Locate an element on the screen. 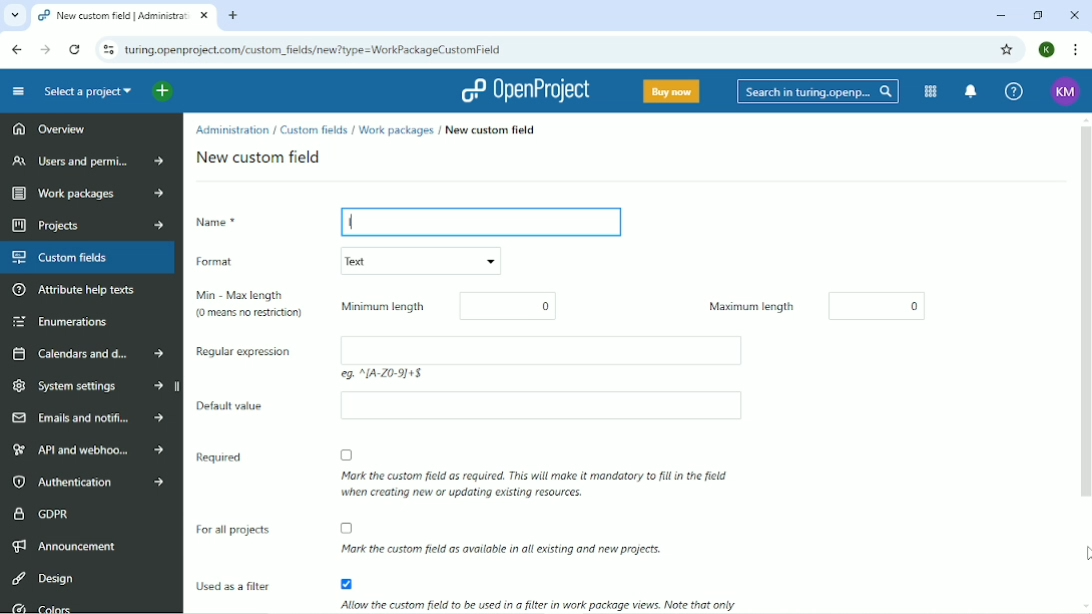  l is located at coordinates (354, 223).